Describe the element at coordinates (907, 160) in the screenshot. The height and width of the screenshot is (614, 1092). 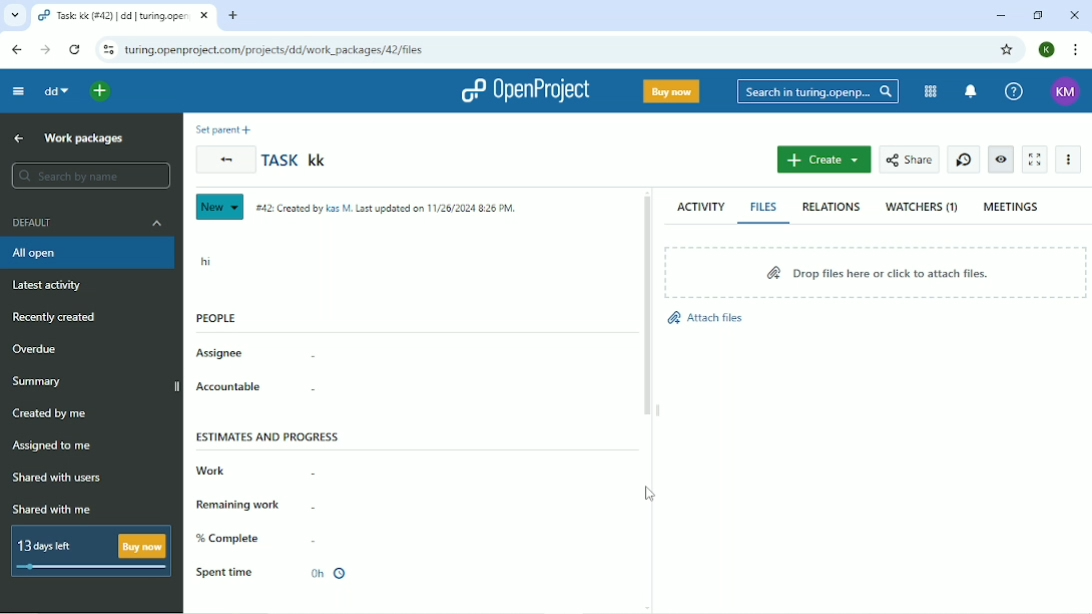
I see `Share` at that location.